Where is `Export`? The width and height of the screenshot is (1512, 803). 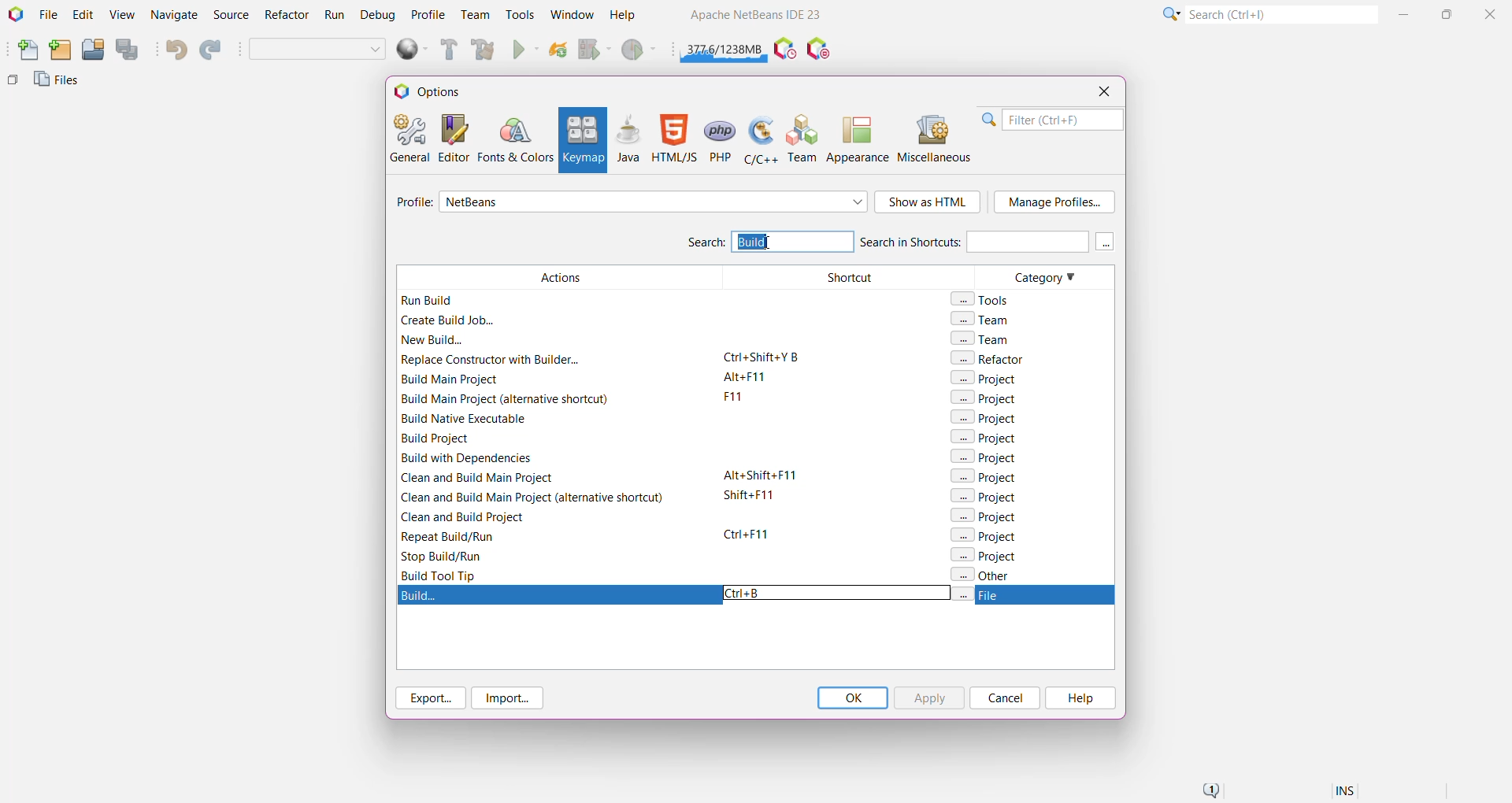
Export is located at coordinates (428, 698).